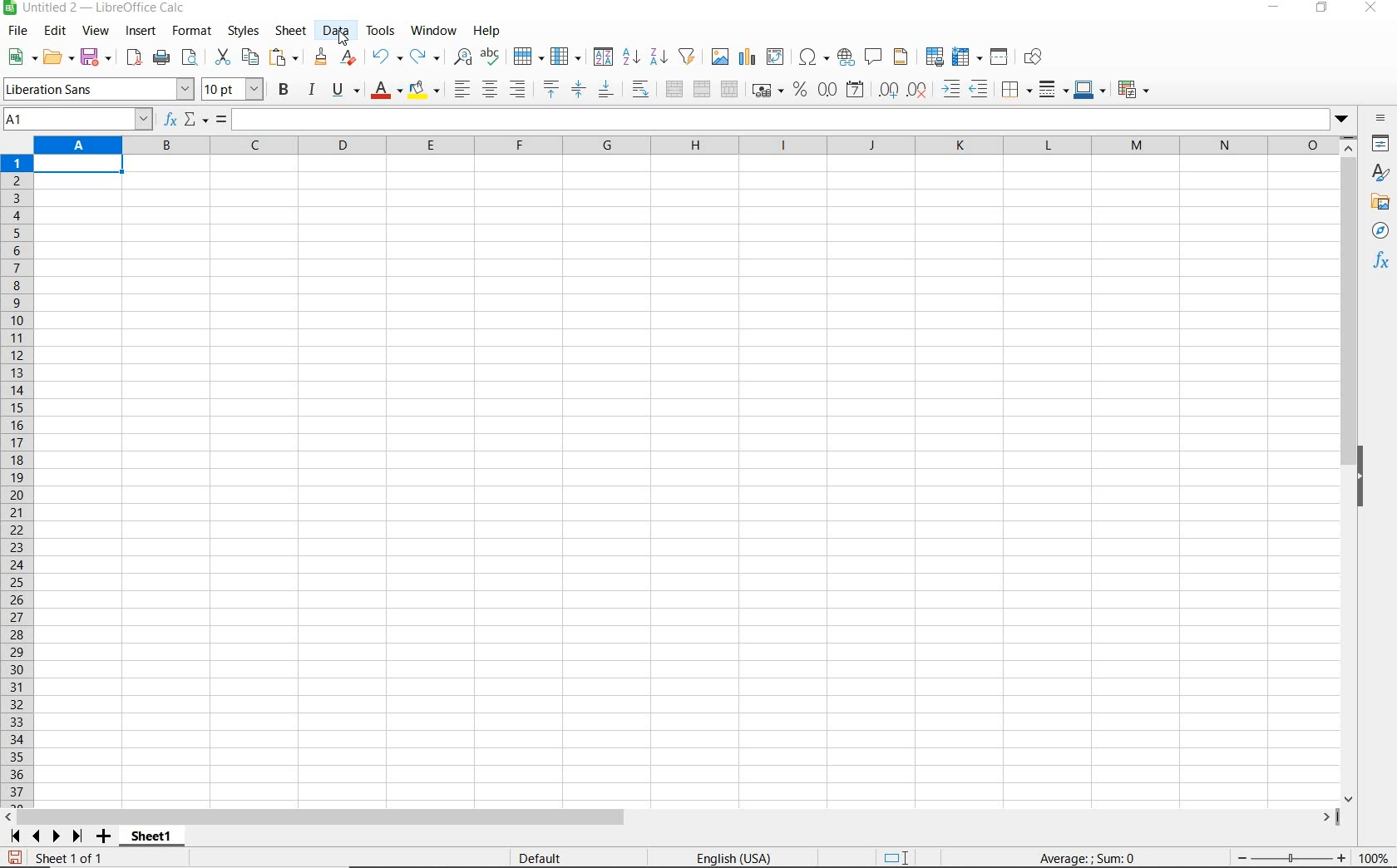  Describe the element at coordinates (1293, 859) in the screenshot. I see `zoom out or zoom in` at that location.